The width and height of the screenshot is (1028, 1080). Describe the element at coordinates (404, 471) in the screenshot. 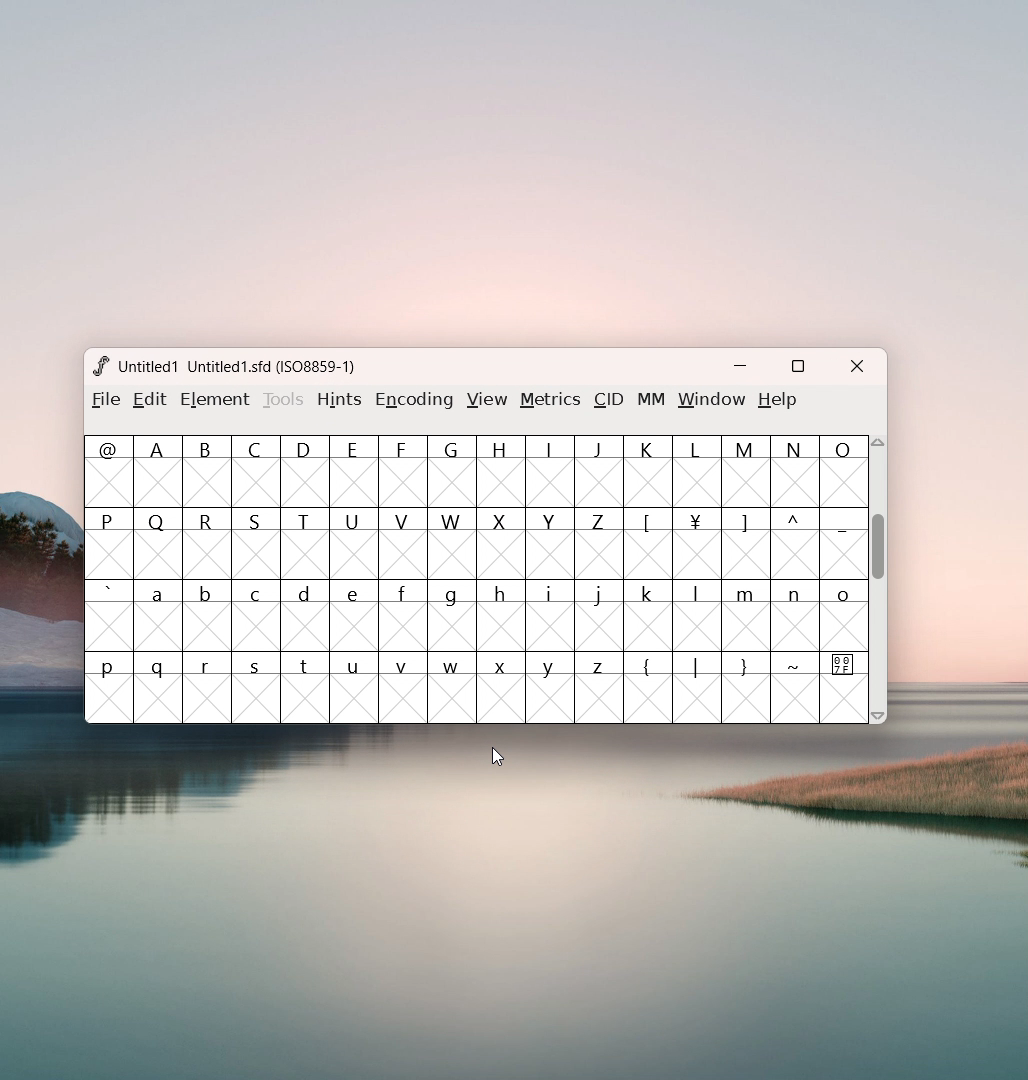

I see `F` at that location.